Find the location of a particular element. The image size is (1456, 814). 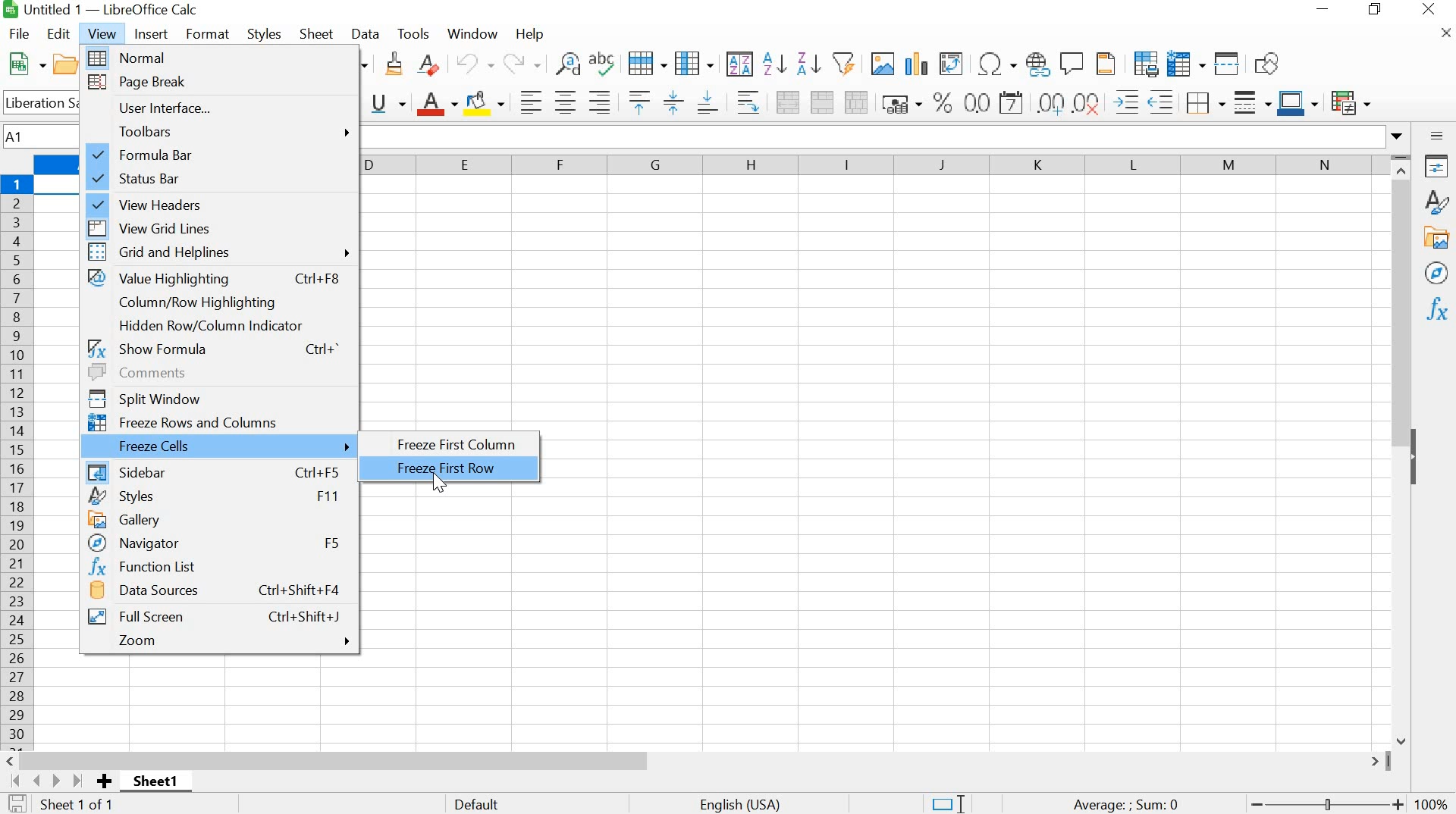

PAGE BREAK is located at coordinates (221, 83).